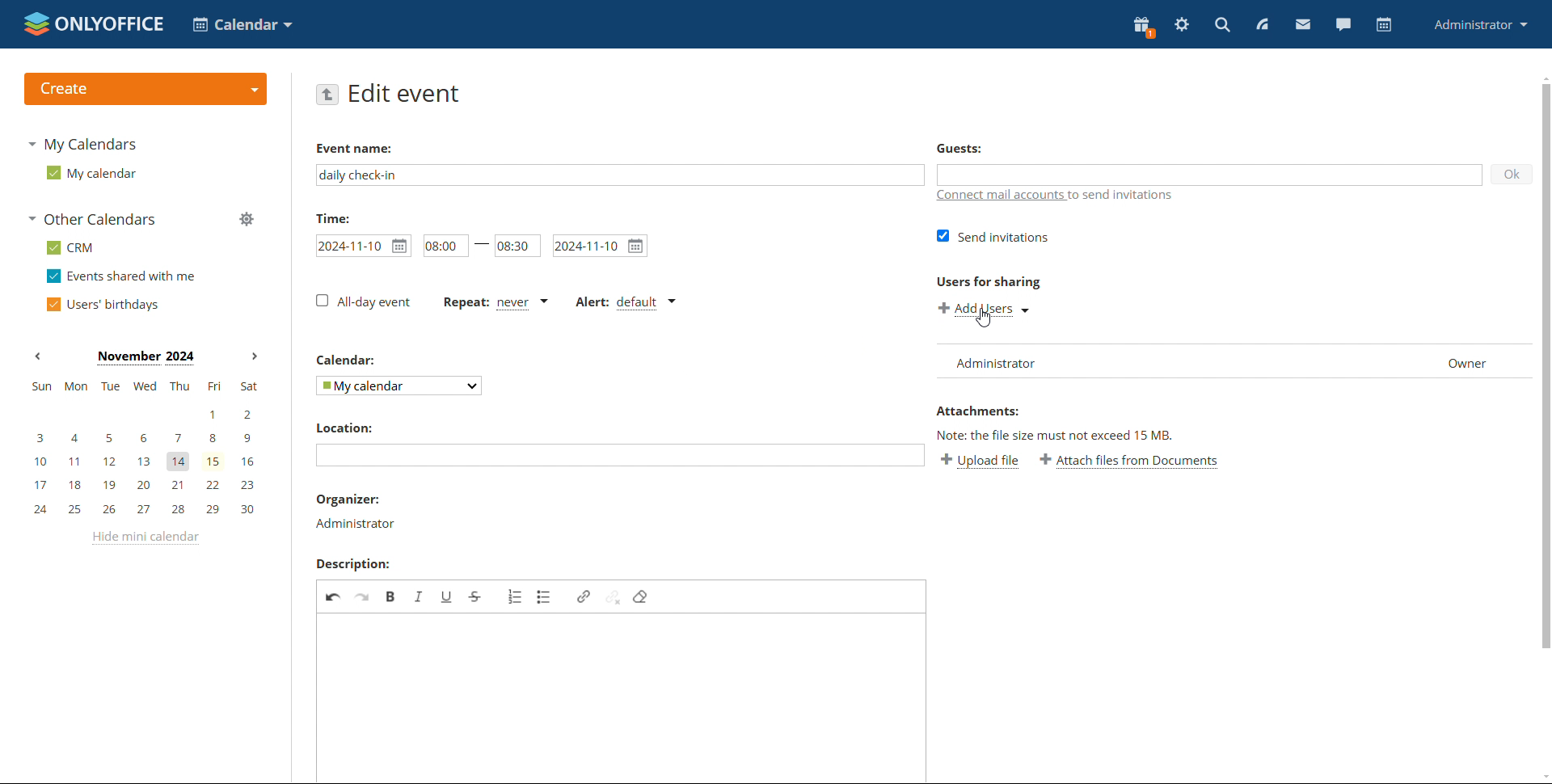 This screenshot has height=784, width=1552. Describe the element at coordinates (145, 89) in the screenshot. I see `create` at that location.